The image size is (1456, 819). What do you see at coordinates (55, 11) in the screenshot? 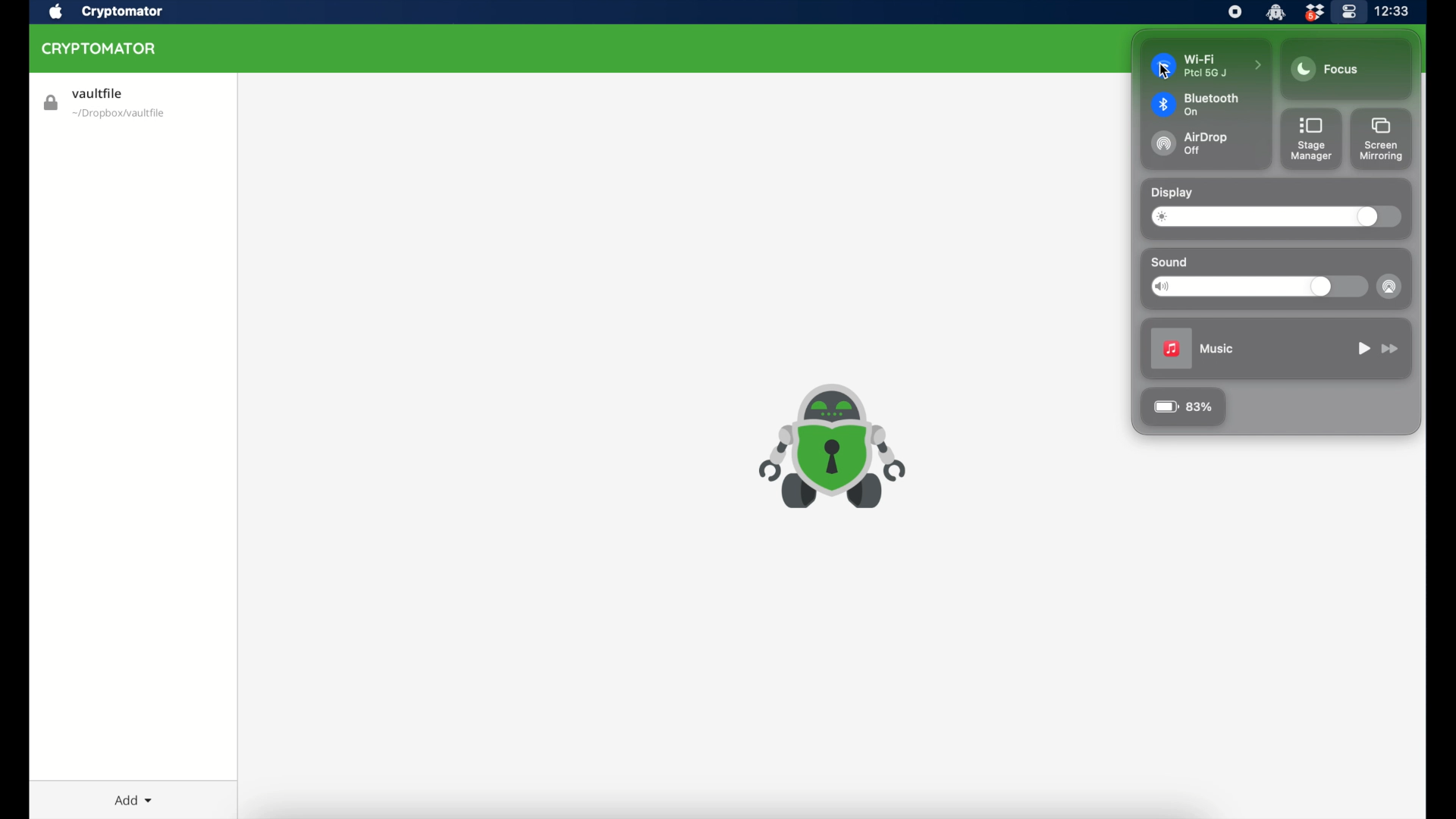
I see `apple icon` at bounding box center [55, 11].